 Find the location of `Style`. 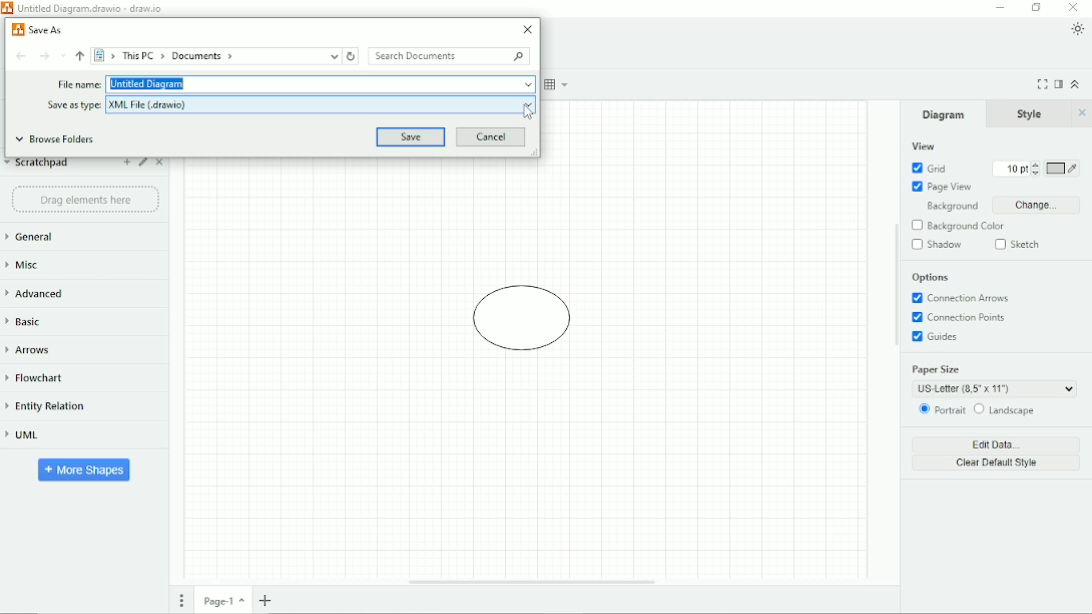

Style is located at coordinates (1032, 113).